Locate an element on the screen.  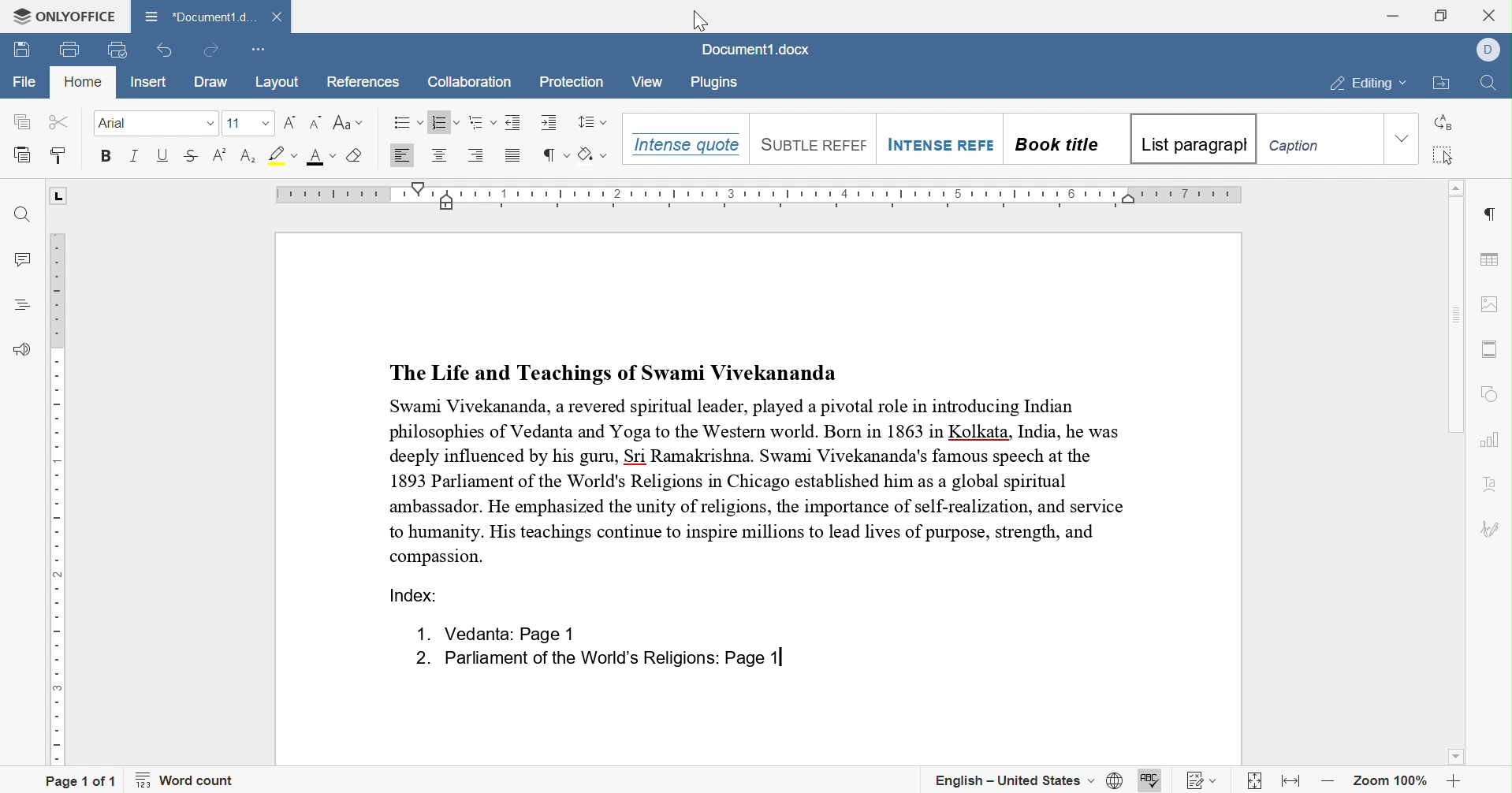
The Life and Teachings of Swami Vivekananda

Swami Vivekananda, a revered spiritual leader, played a pivotal role in introducing Indian
philosophies of Vedanta and Yoga to the Western world. Born in 1863 in Kolkata, India, he was
deeply influenced by his guru, Sri Ramakrishna. Swami Vivekananda's famous speech at the
1893 Parliament of the World's Religions in Chicago established him as a global spiritual
ambassador. He emphasized the unity of religions, the importance of self-realization, and service
to humanity. His teachings continue to inspire millions to lead lives of purpose, strength, and
compassion. is located at coordinates (760, 461).